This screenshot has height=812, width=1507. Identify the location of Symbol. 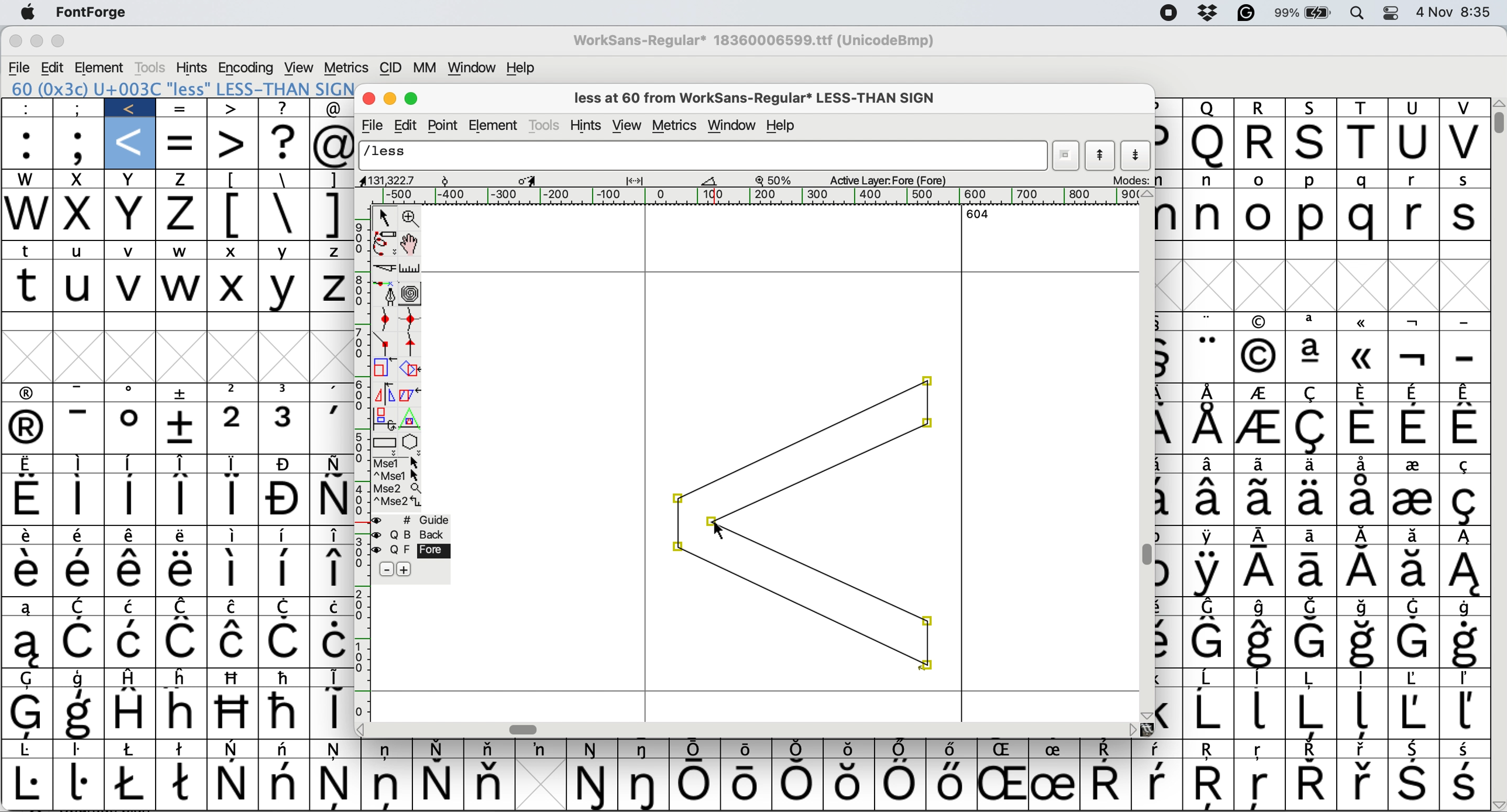
(332, 498).